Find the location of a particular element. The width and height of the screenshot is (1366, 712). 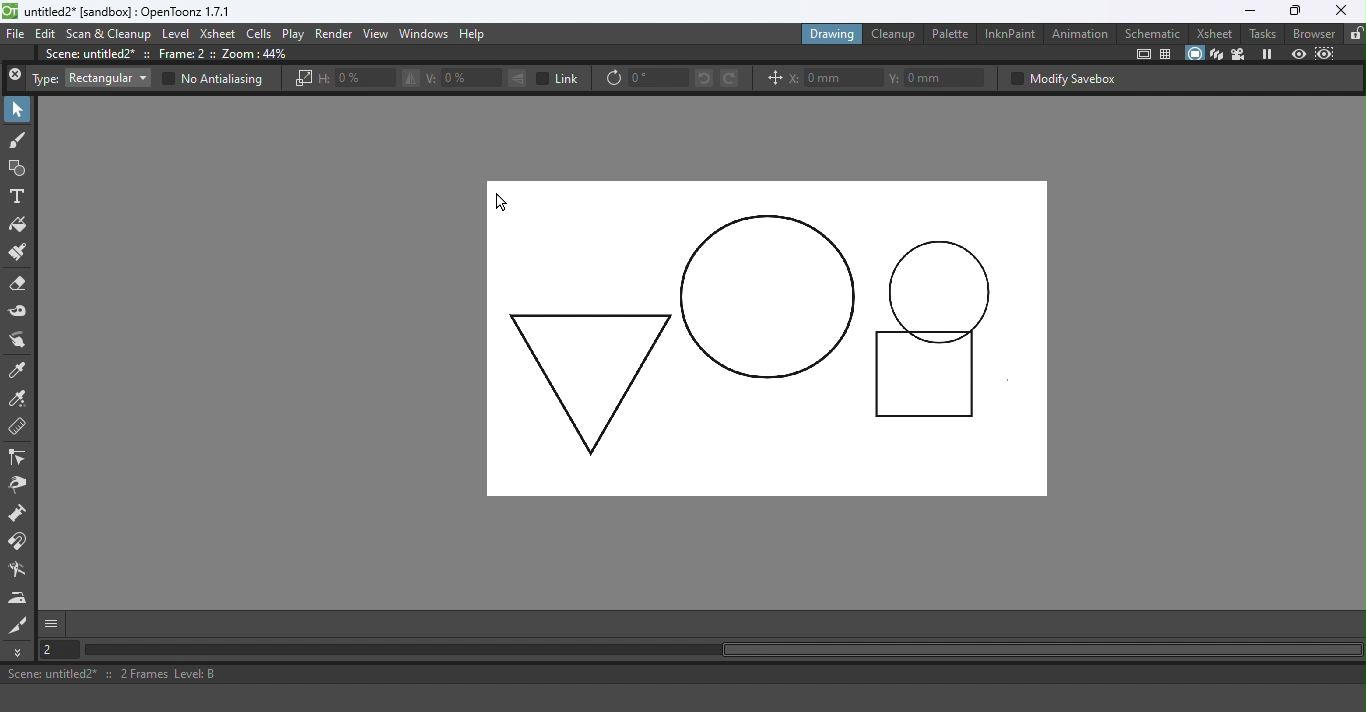

Cells is located at coordinates (260, 33).